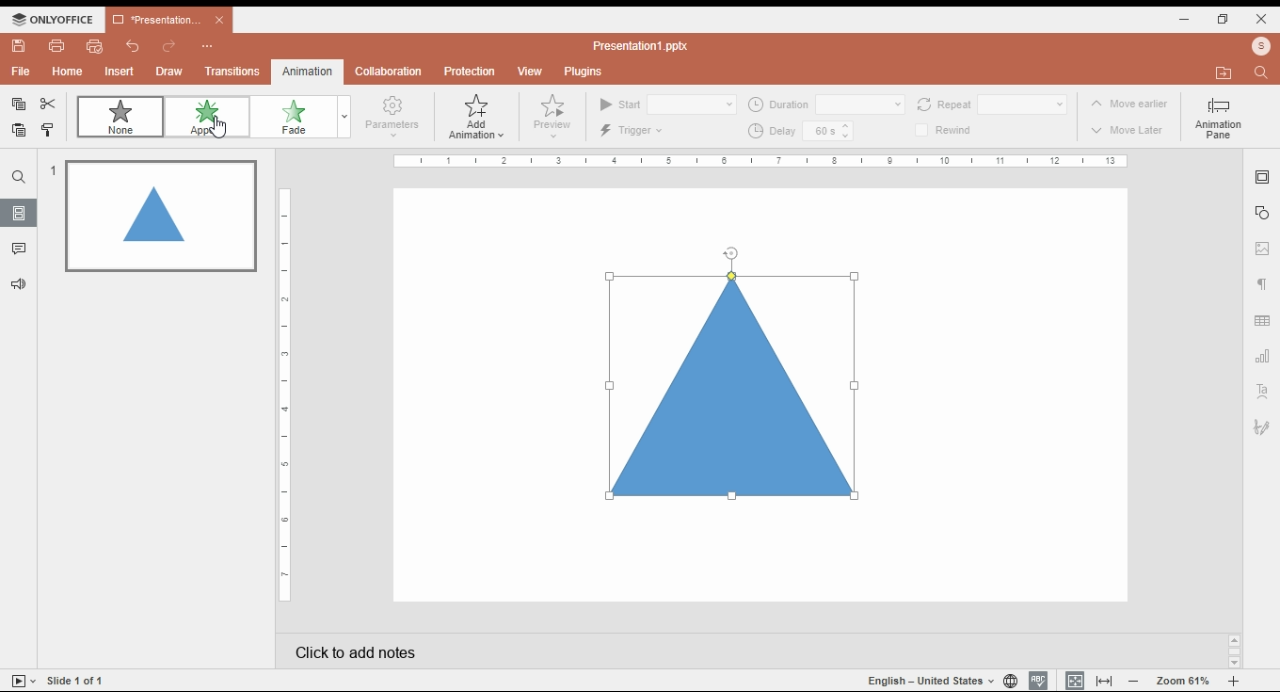 The height and width of the screenshot is (692, 1280). Describe the element at coordinates (531, 72) in the screenshot. I see `view` at that location.